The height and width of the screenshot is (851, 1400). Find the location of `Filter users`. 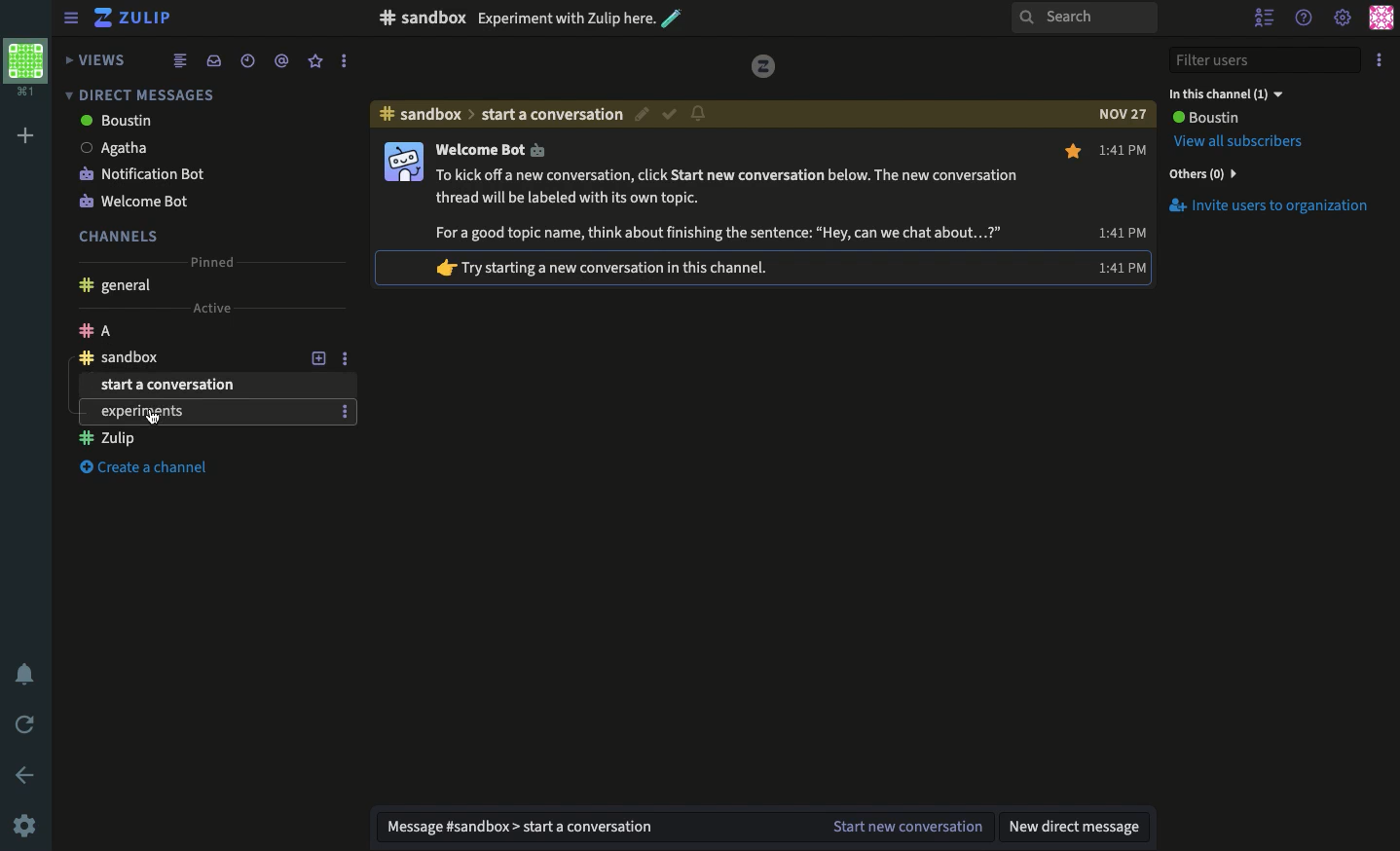

Filter users is located at coordinates (1266, 61).